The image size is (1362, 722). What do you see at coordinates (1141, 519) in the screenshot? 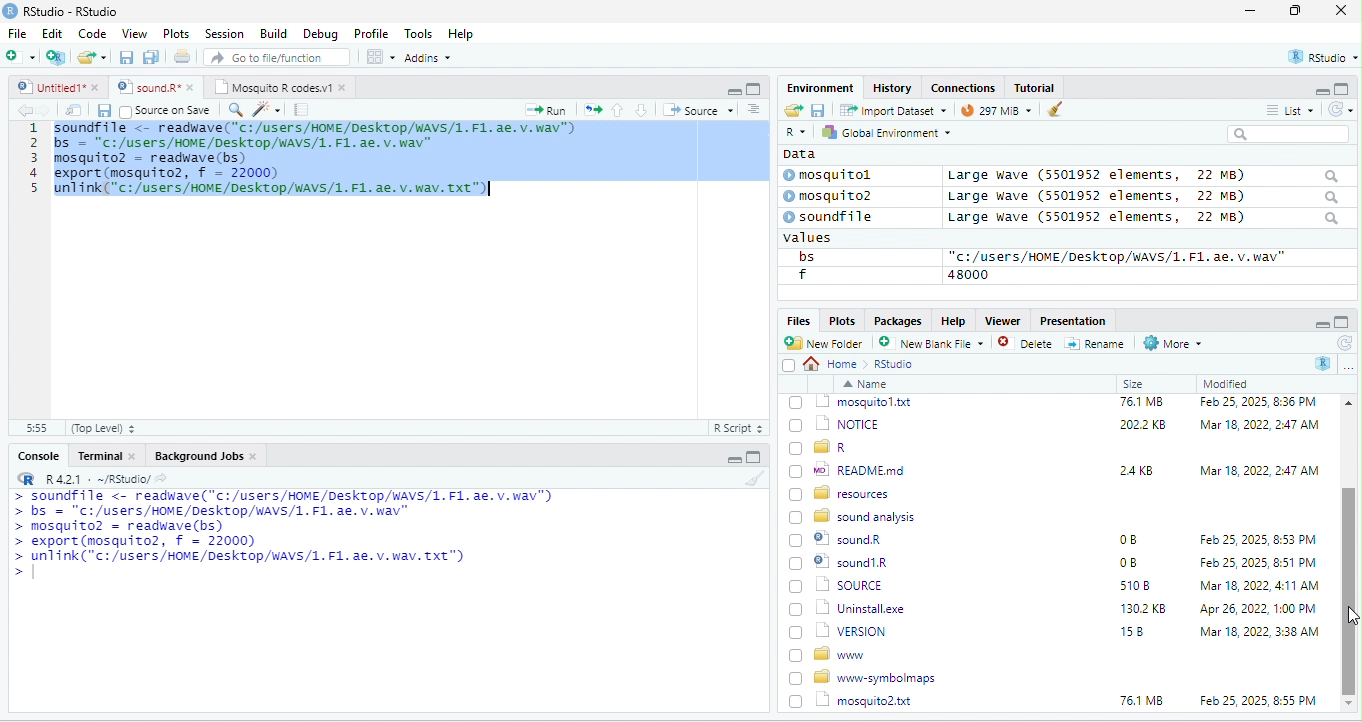
I see `76.1 MB` at bounding box center [1141, 519].